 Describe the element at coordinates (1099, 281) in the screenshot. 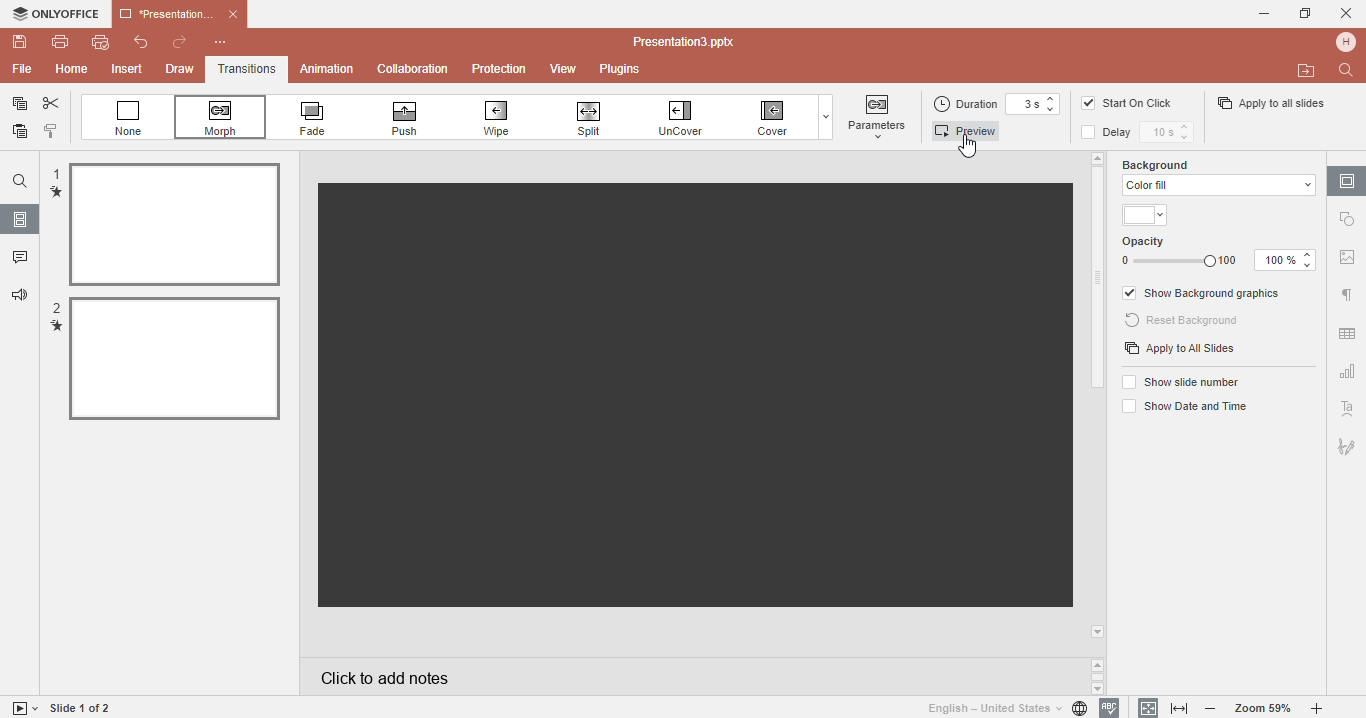

I see `Scroll bar` at that location.